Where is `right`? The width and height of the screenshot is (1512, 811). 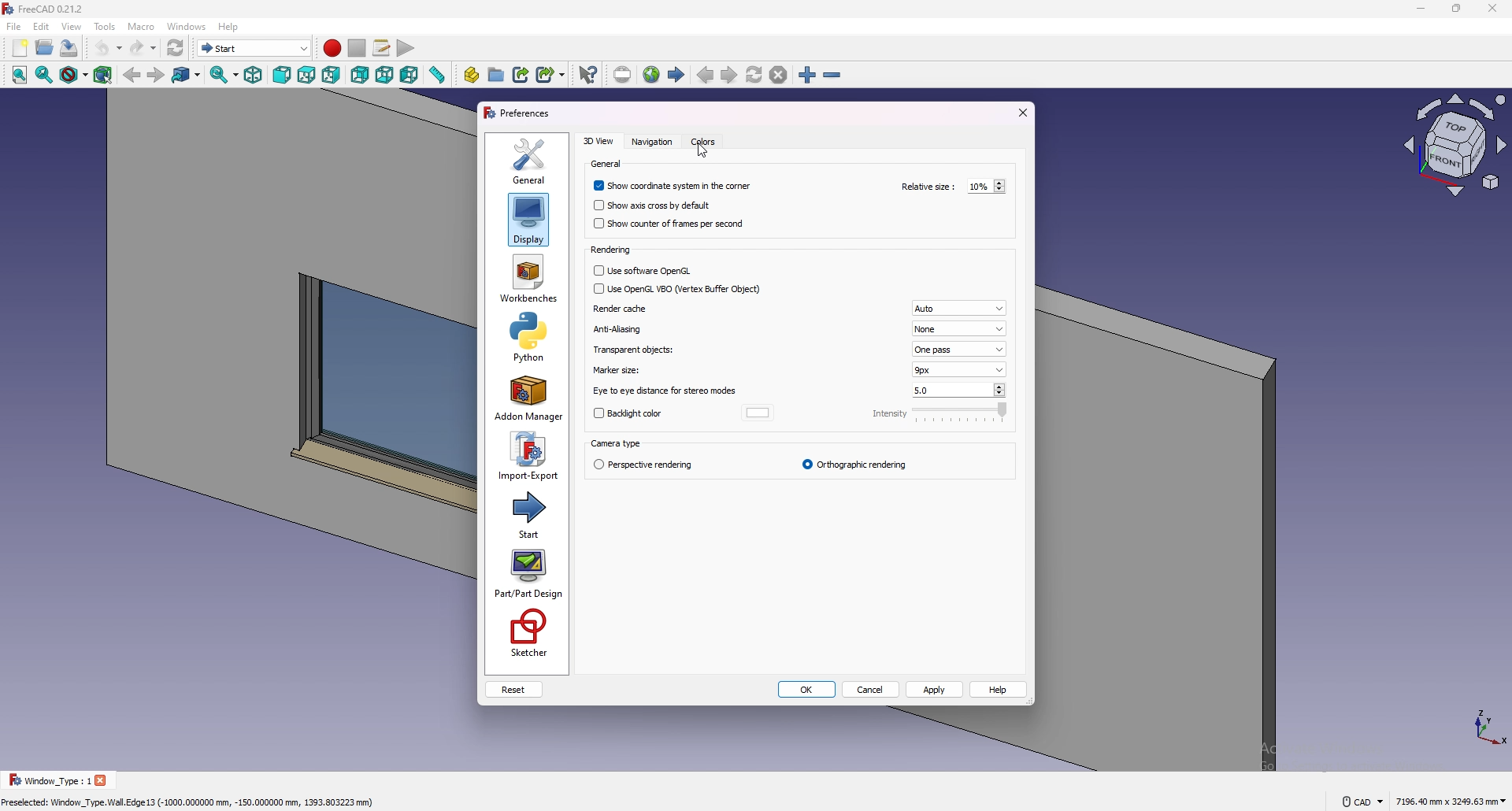
right is located at coordinates (332, 75).